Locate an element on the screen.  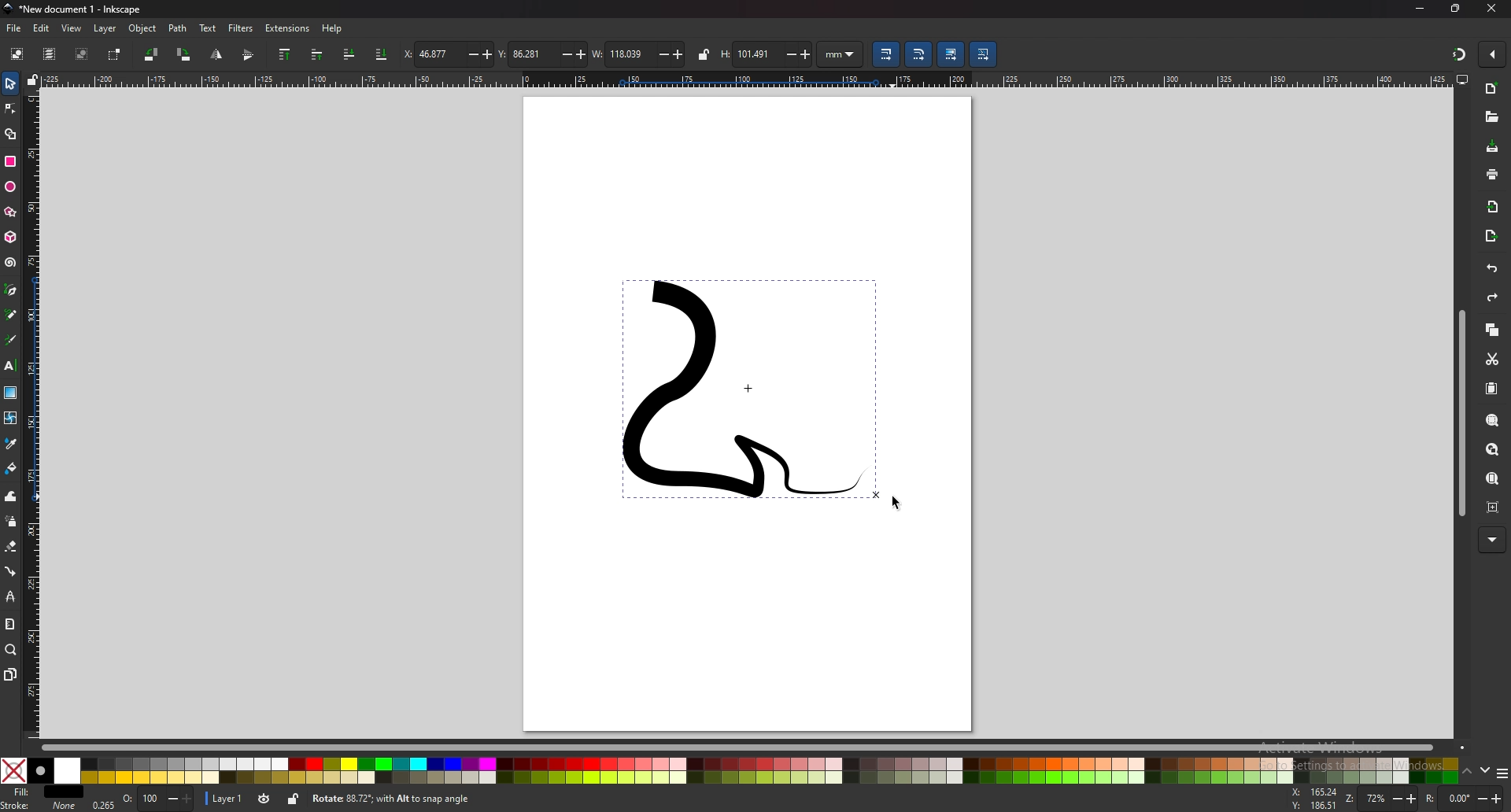
file is located at coordinates (13, 28).